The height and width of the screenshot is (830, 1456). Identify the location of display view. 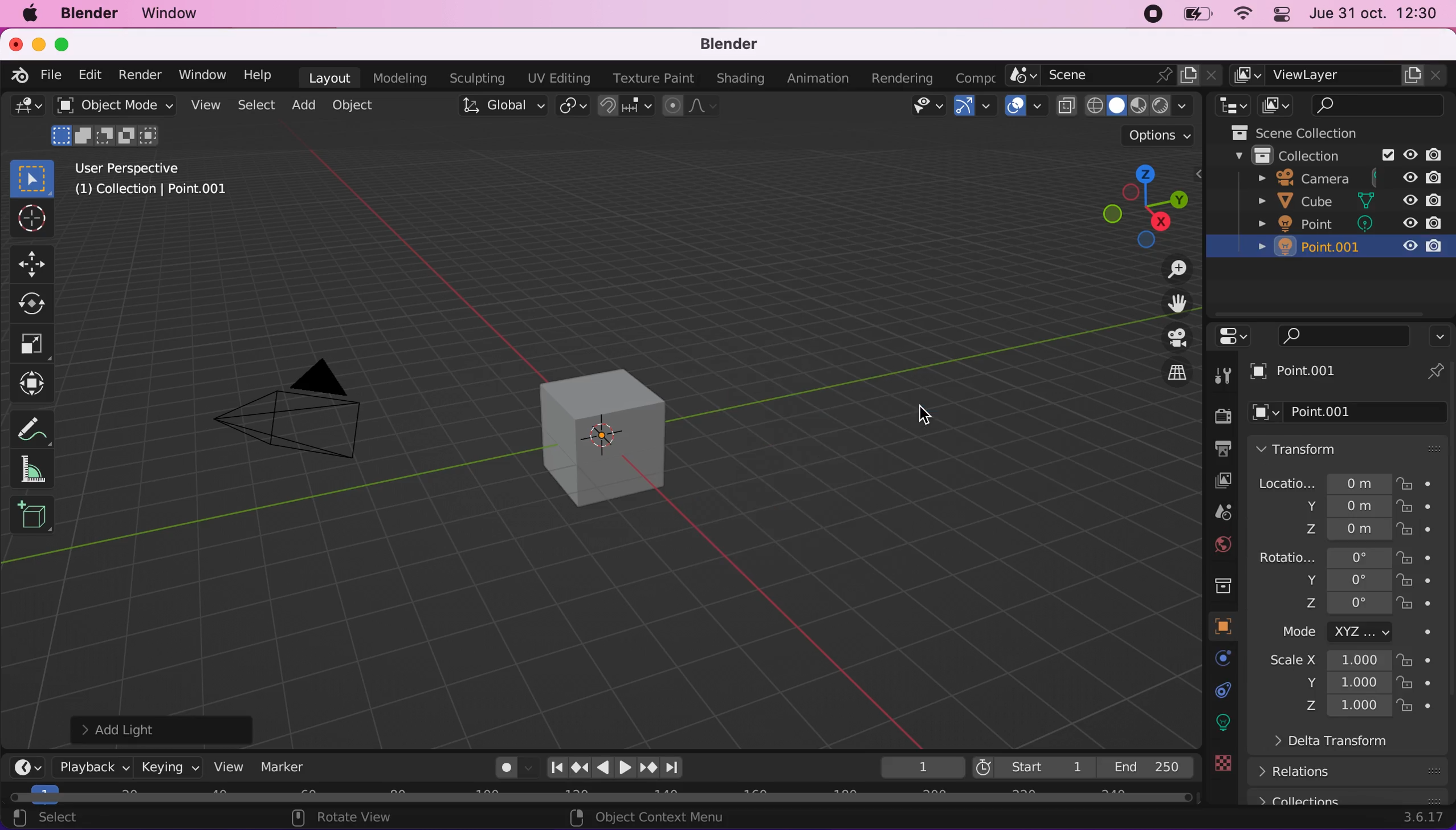
(1277, 105).